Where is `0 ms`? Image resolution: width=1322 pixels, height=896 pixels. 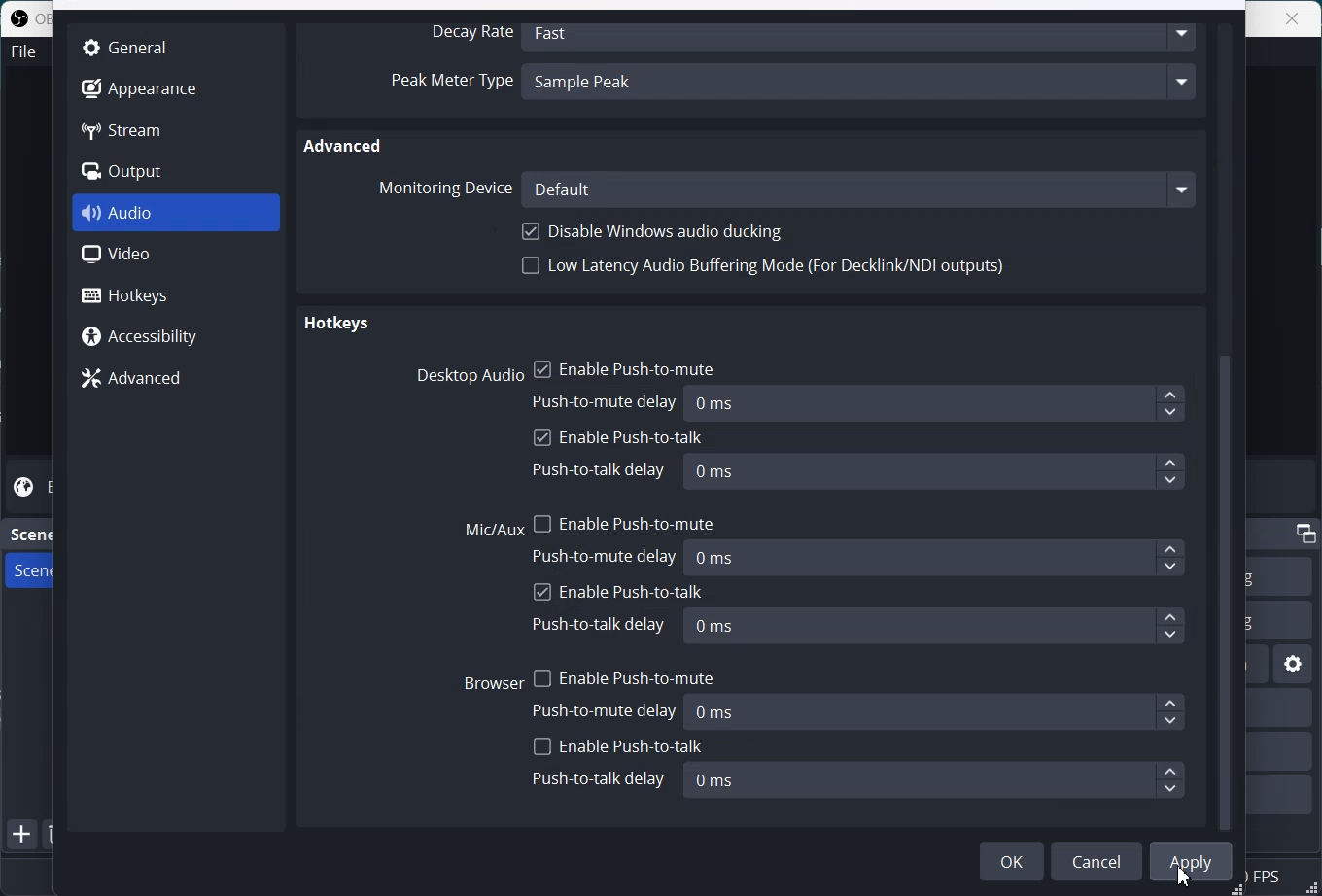 0 ms is located at coordinates (934, 471).